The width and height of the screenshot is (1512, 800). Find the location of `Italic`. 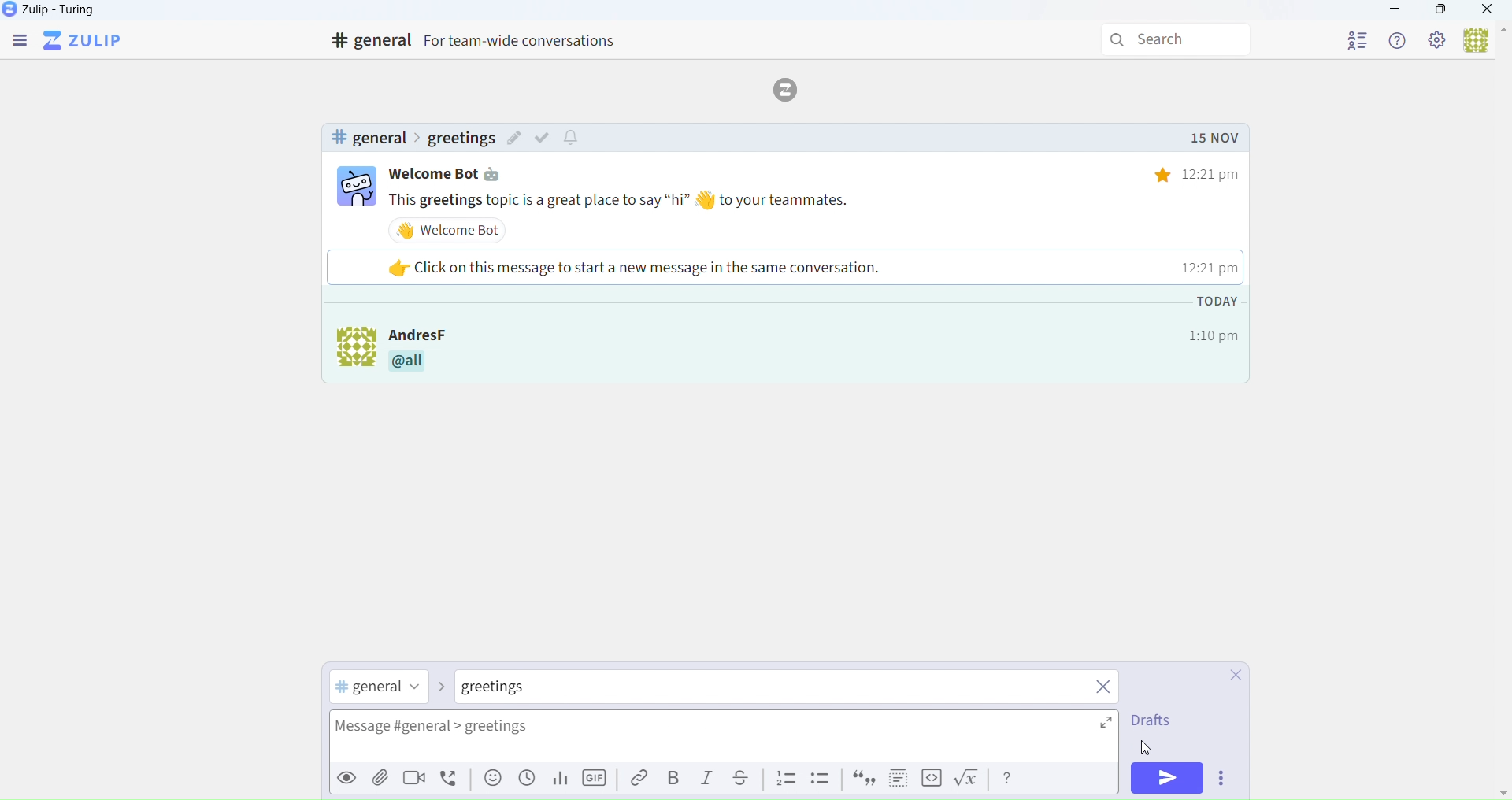

Italic is located at coordinates (708, 781).